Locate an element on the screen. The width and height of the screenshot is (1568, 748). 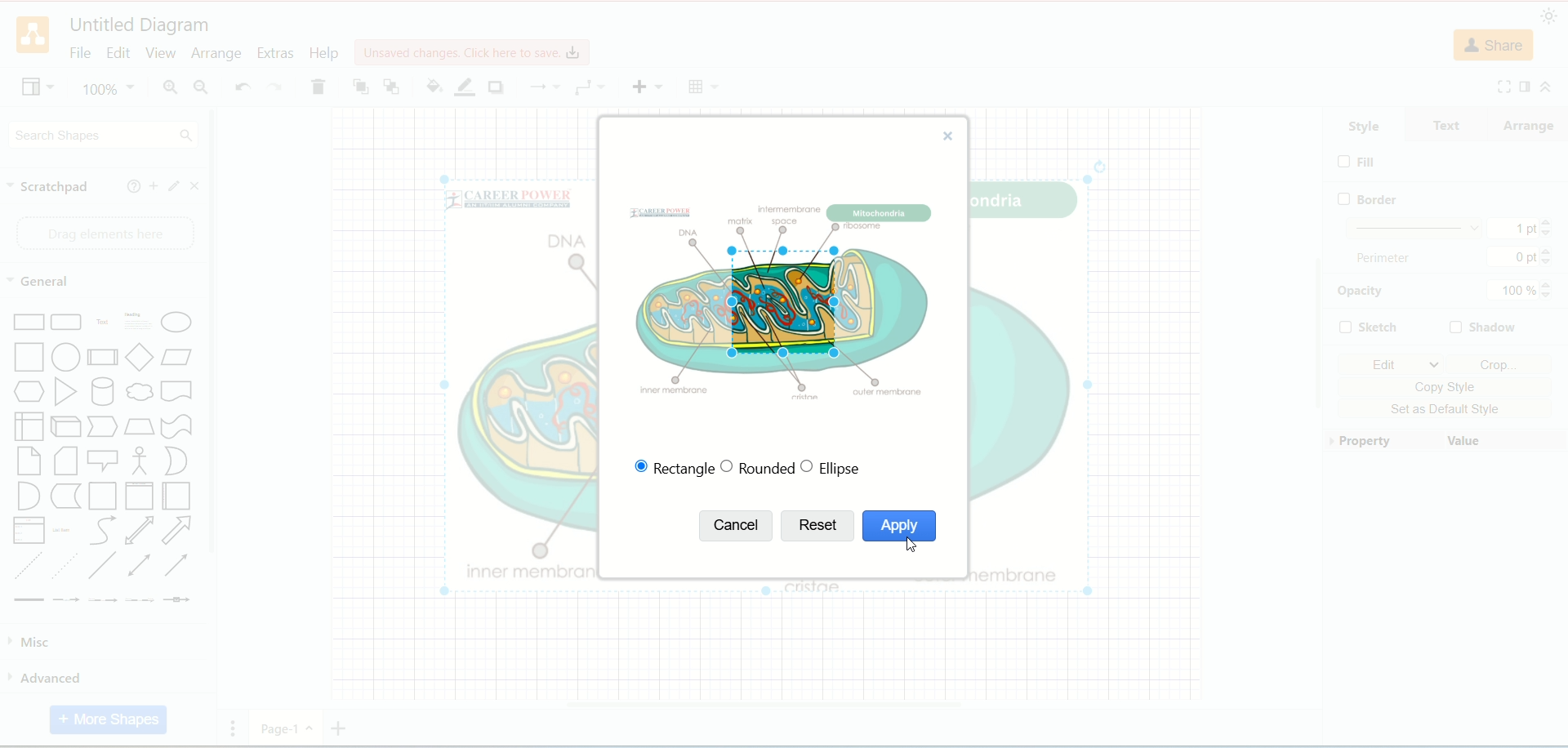
List Item is located at coordinates (63, 530).